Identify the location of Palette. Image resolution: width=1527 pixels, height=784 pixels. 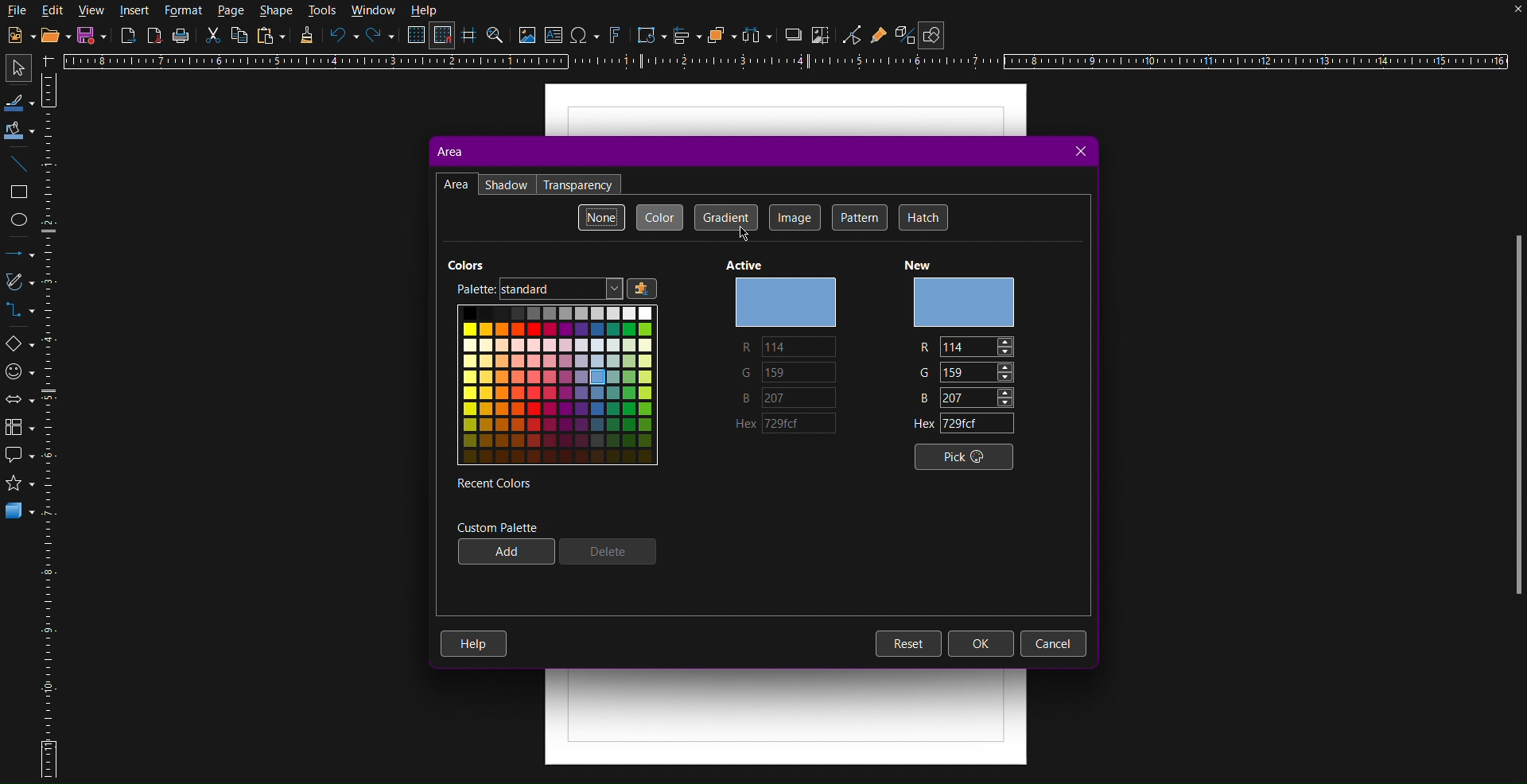
(472, 289).